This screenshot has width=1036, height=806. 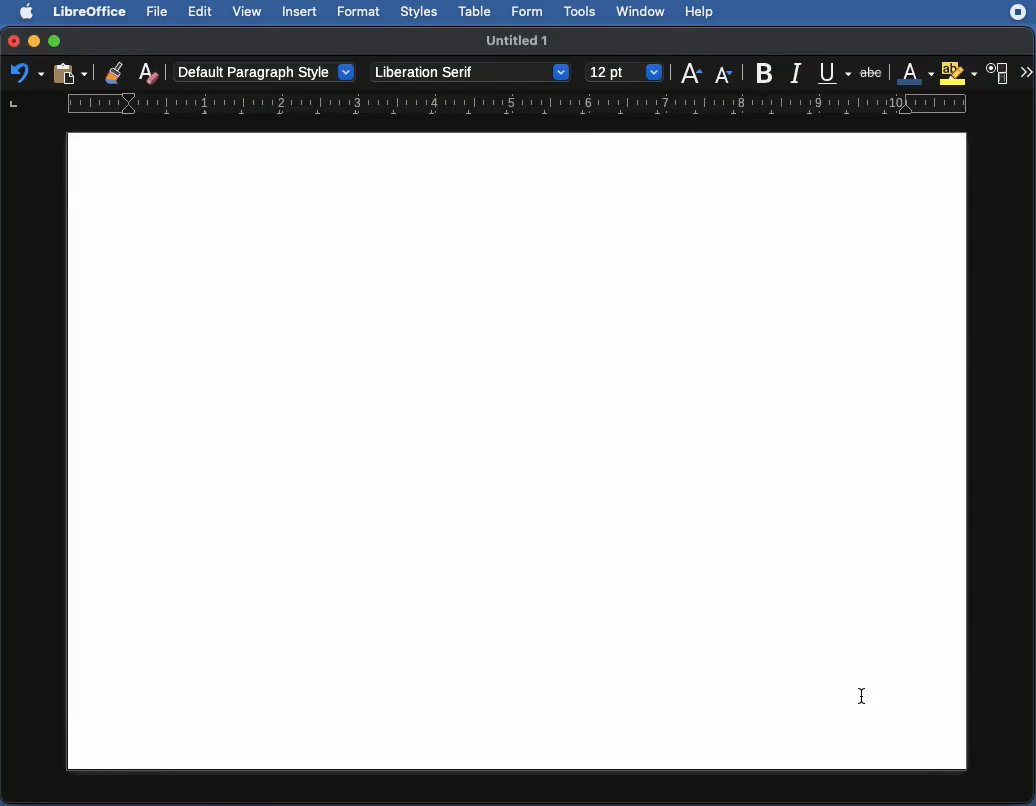 I want to click on ruler, so click(x=529, y=105).